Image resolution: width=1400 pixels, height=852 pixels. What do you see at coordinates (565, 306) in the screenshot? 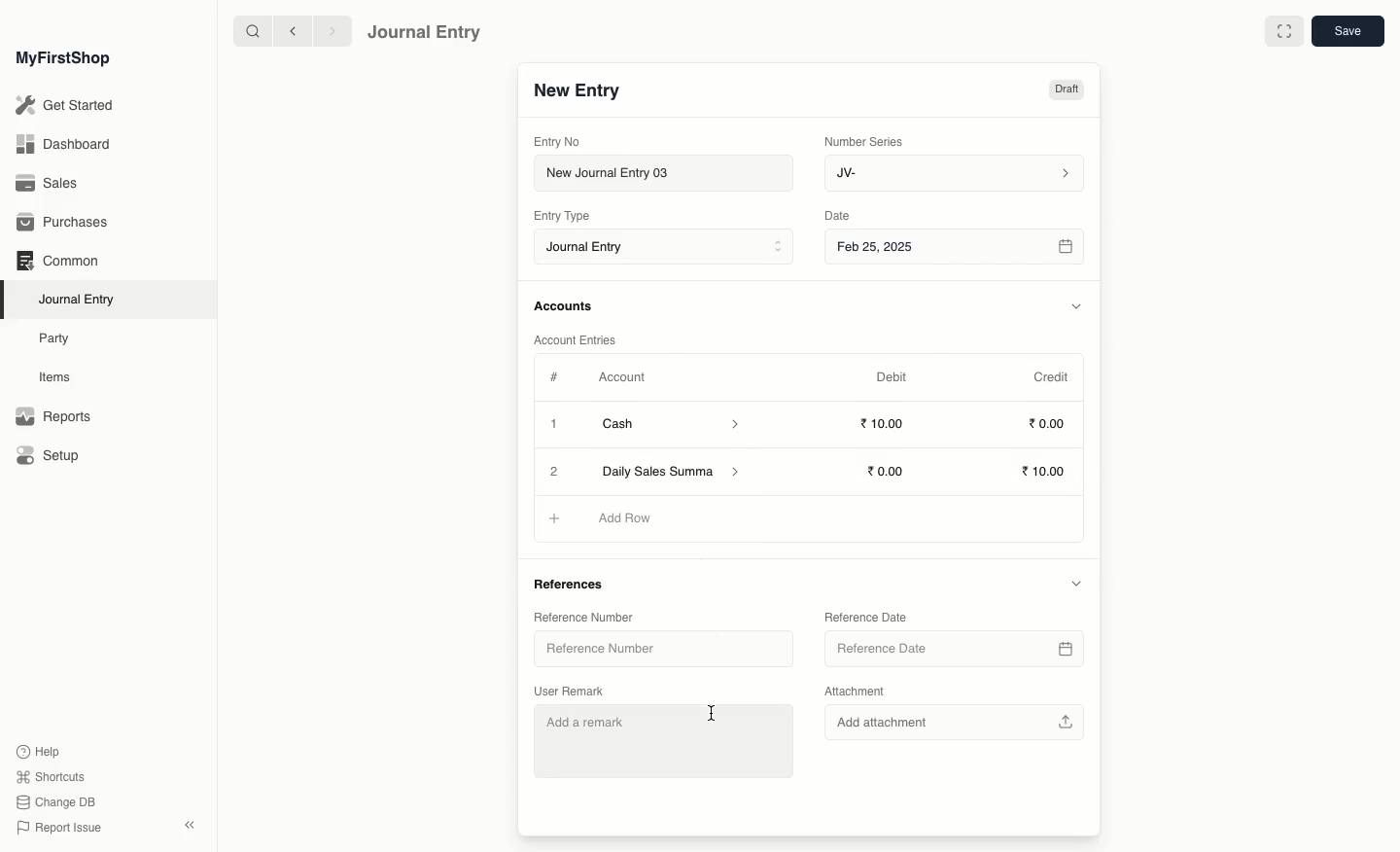
I see `Accounts` at bounding box center [565, 306].